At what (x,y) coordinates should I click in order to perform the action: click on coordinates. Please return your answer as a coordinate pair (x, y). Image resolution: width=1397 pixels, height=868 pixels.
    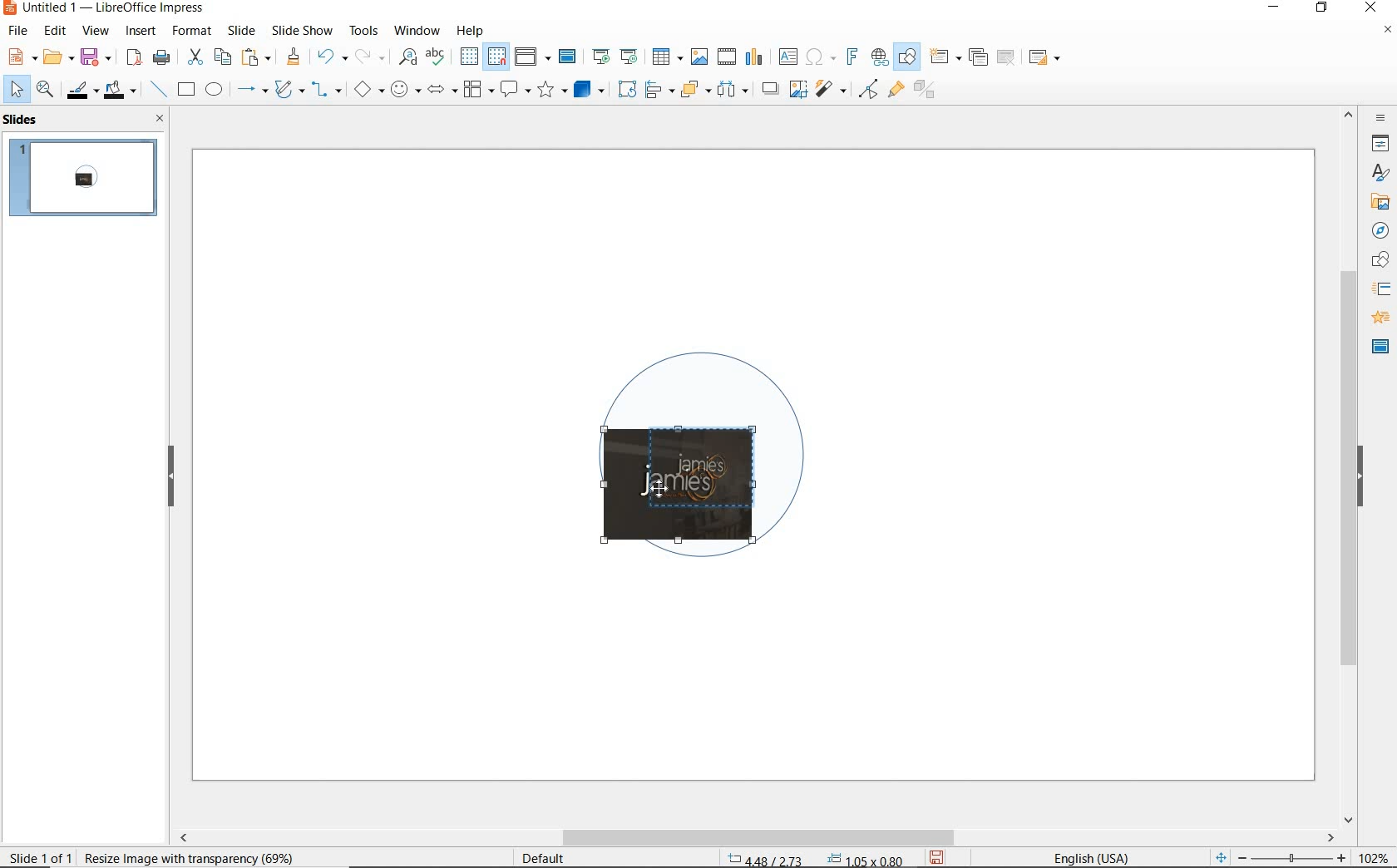
    Looking at the image, I should click on (813, 860).